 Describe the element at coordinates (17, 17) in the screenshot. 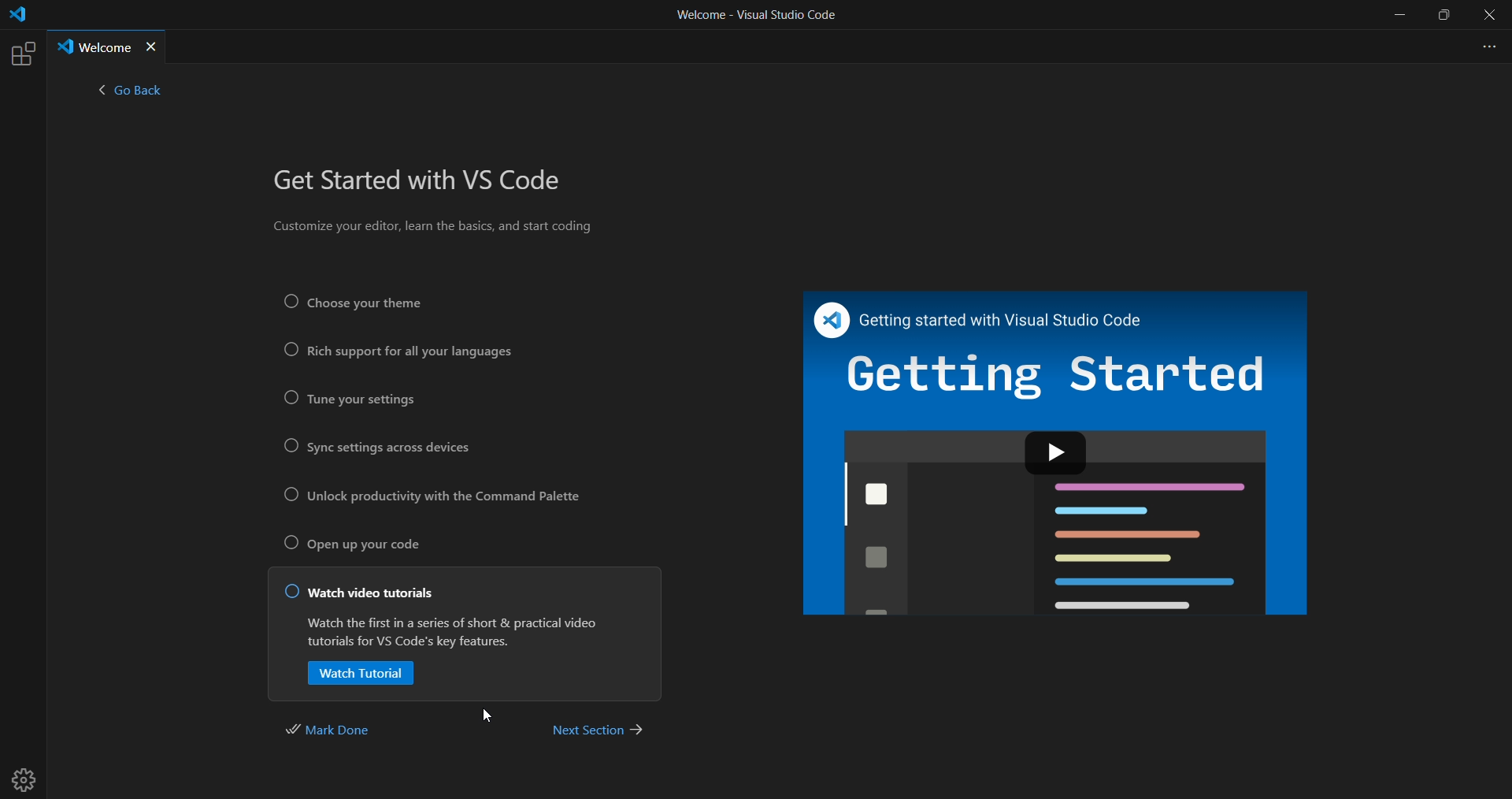

I see `logo` at that location.